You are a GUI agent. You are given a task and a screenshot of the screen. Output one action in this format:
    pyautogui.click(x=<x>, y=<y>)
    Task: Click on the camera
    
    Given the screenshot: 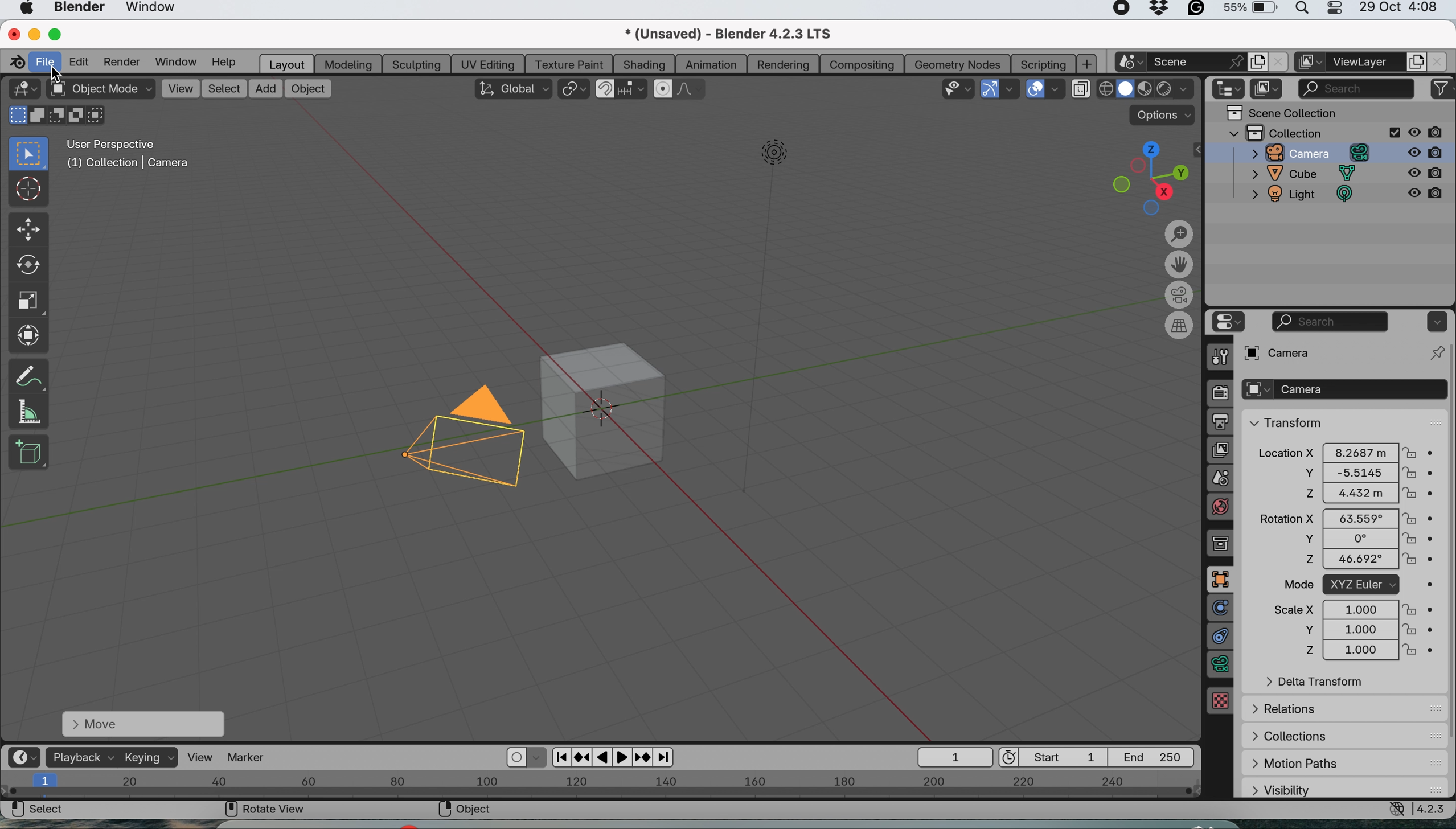 What is the action you would take?
    pyautogui.click(x=1304, y=153)
    